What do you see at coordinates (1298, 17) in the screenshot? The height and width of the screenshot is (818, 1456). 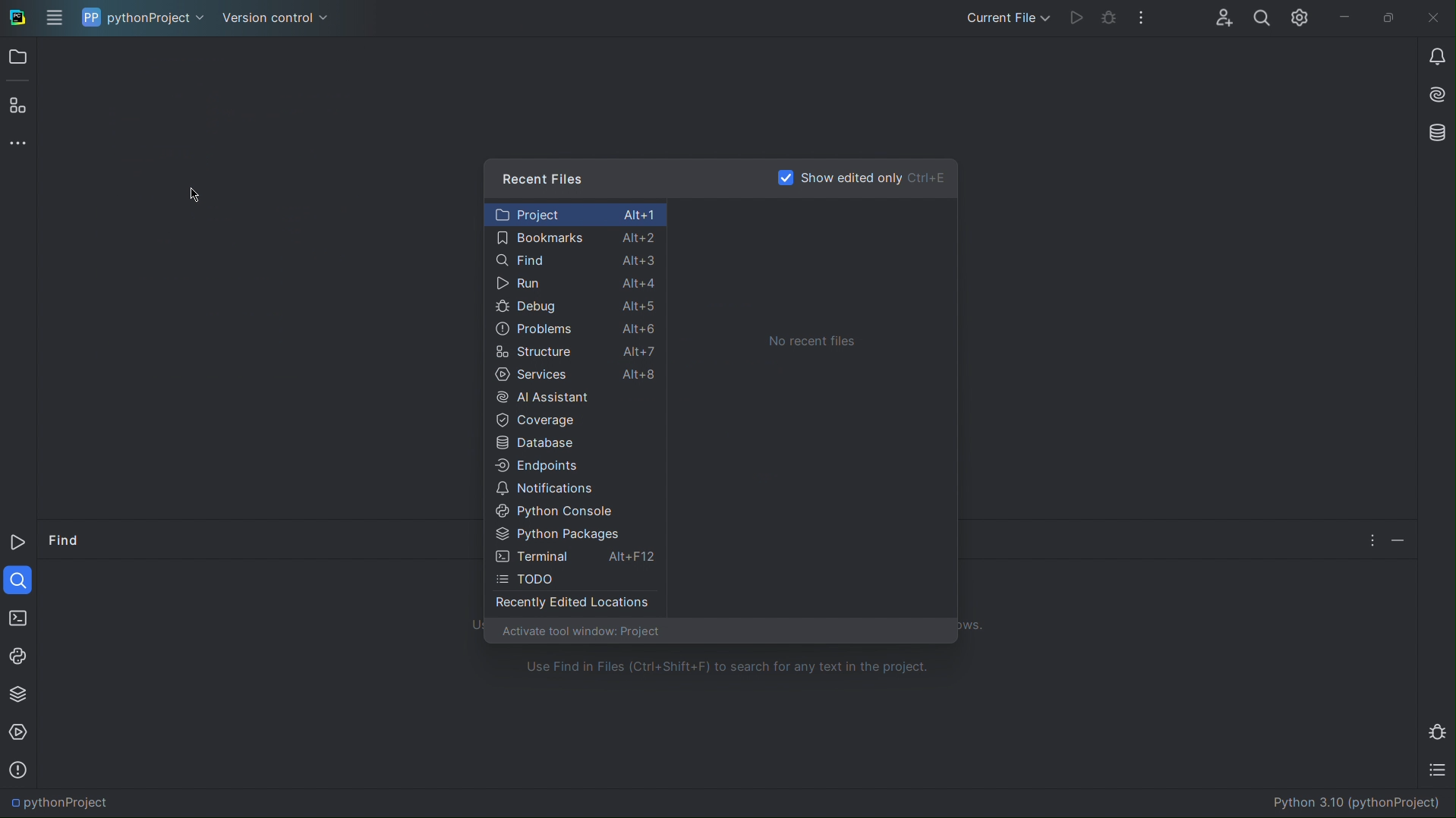 I see `Settings` at bounding box center [1298, 17].